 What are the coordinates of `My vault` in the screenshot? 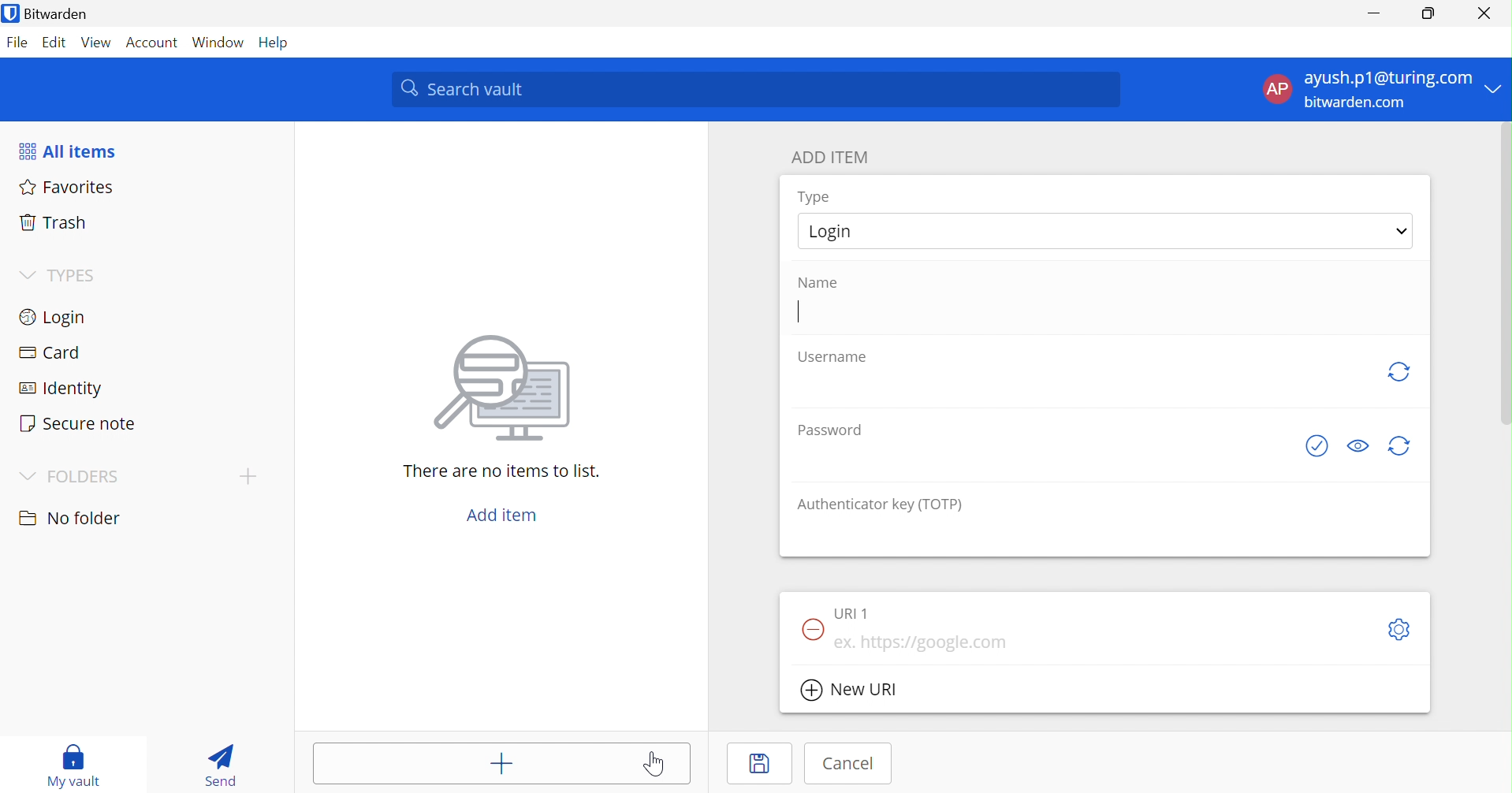 It's located at (73, 765).